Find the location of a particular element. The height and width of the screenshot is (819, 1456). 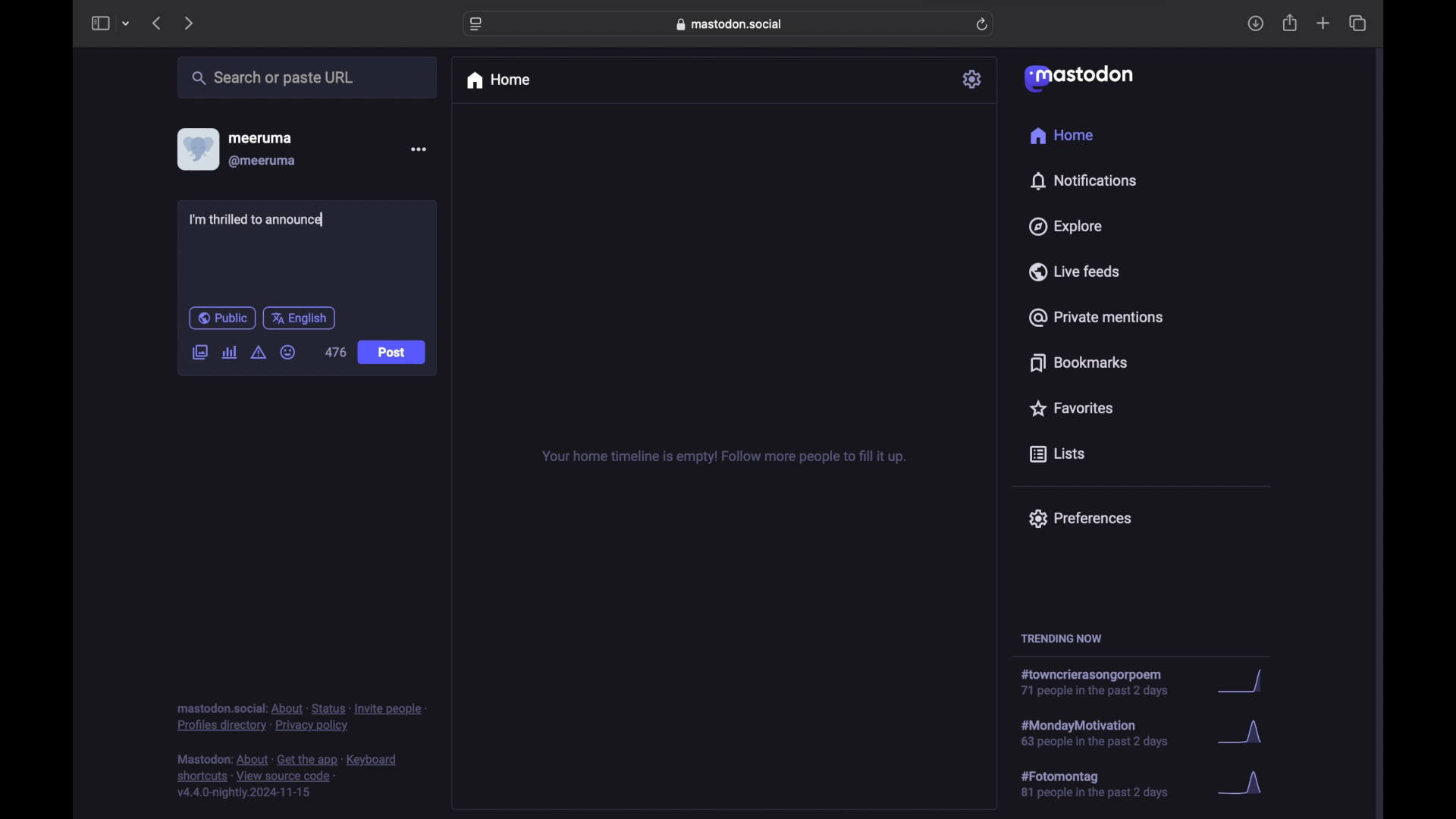

footnote is located at coordinates (287, 777).